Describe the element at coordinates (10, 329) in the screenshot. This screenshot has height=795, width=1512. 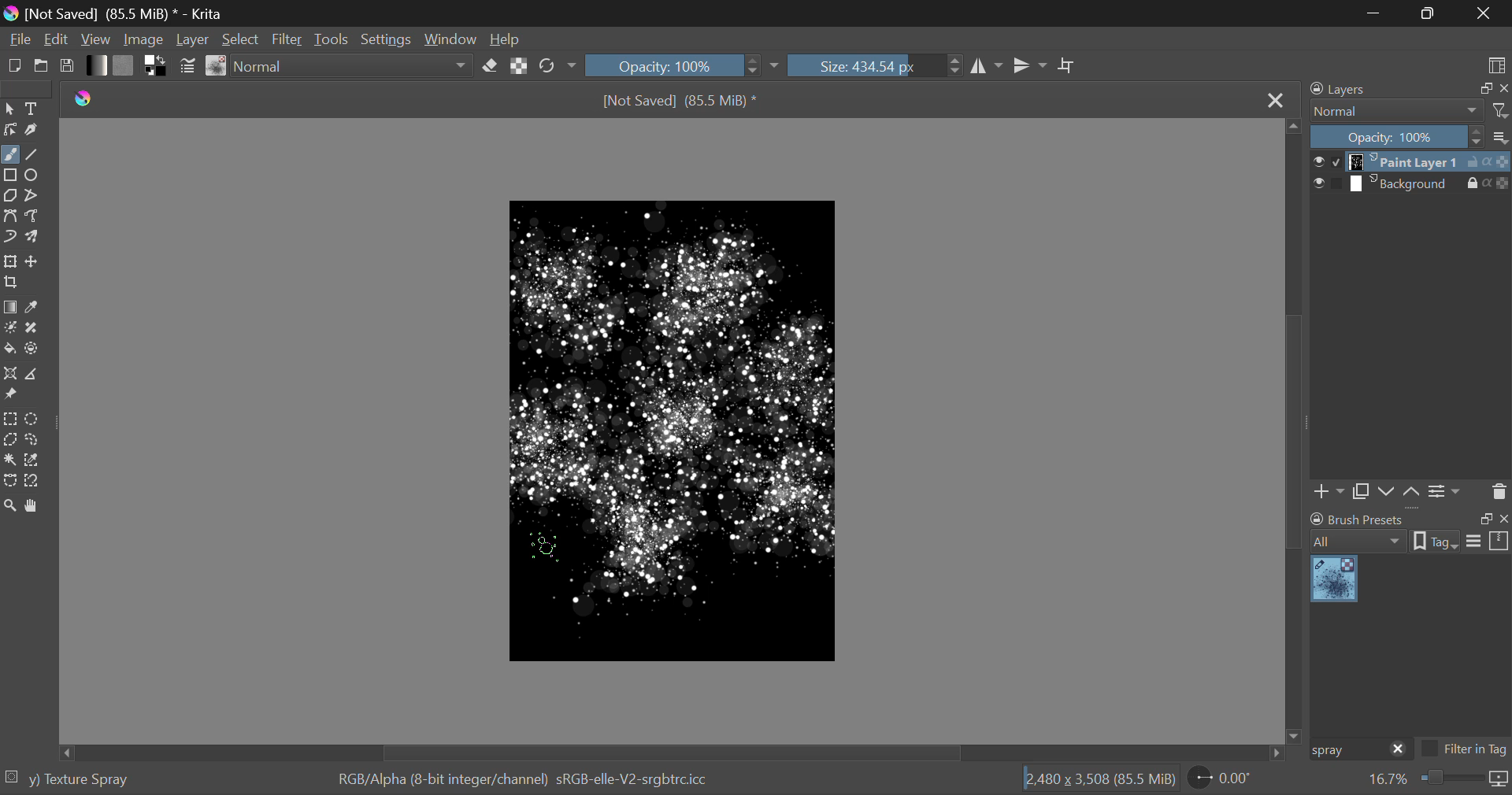
I see `Colorize Mask Tool` at that location.